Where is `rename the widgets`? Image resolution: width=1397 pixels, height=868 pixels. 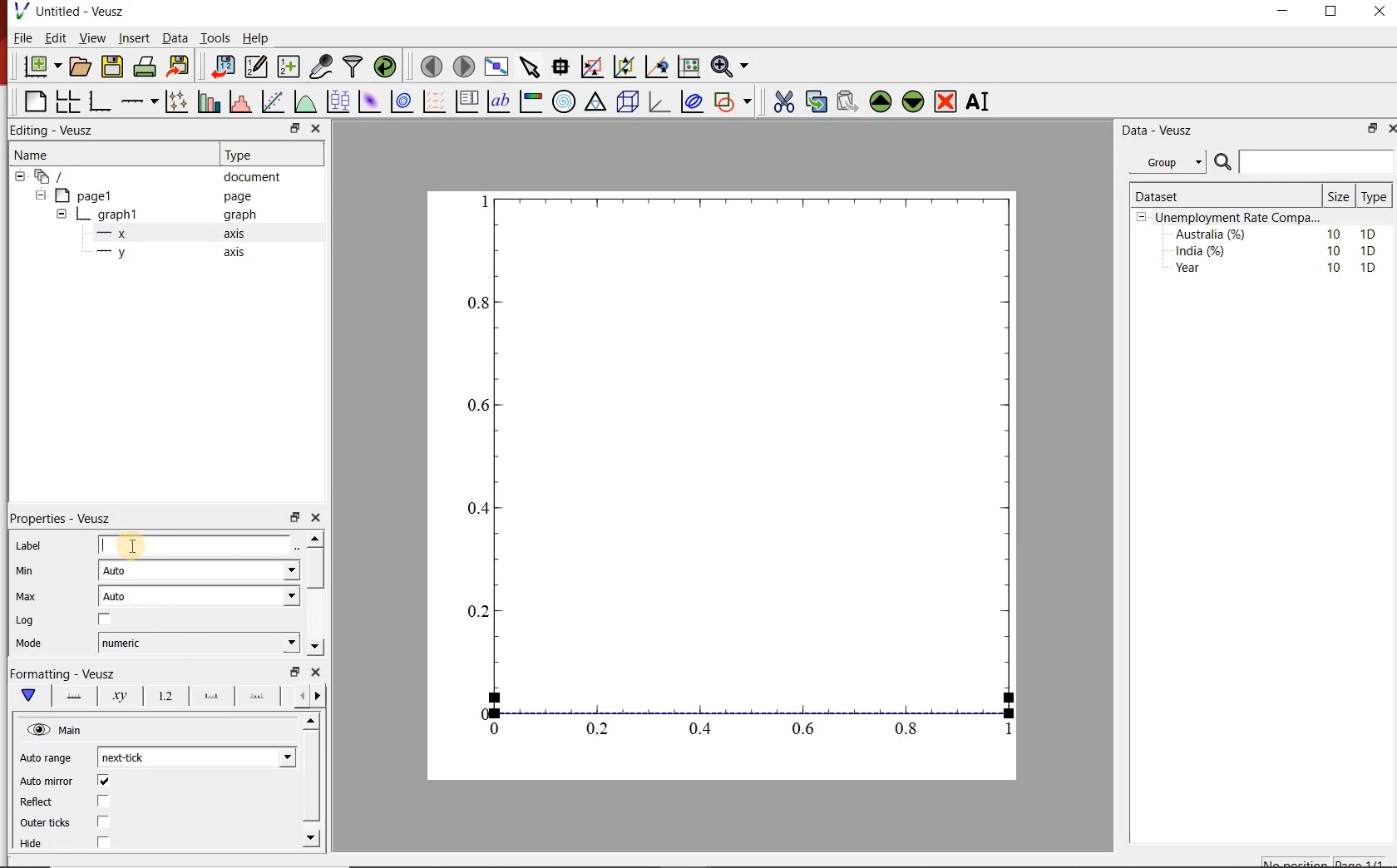 rename the widgets is located at coordinates (981, 101).